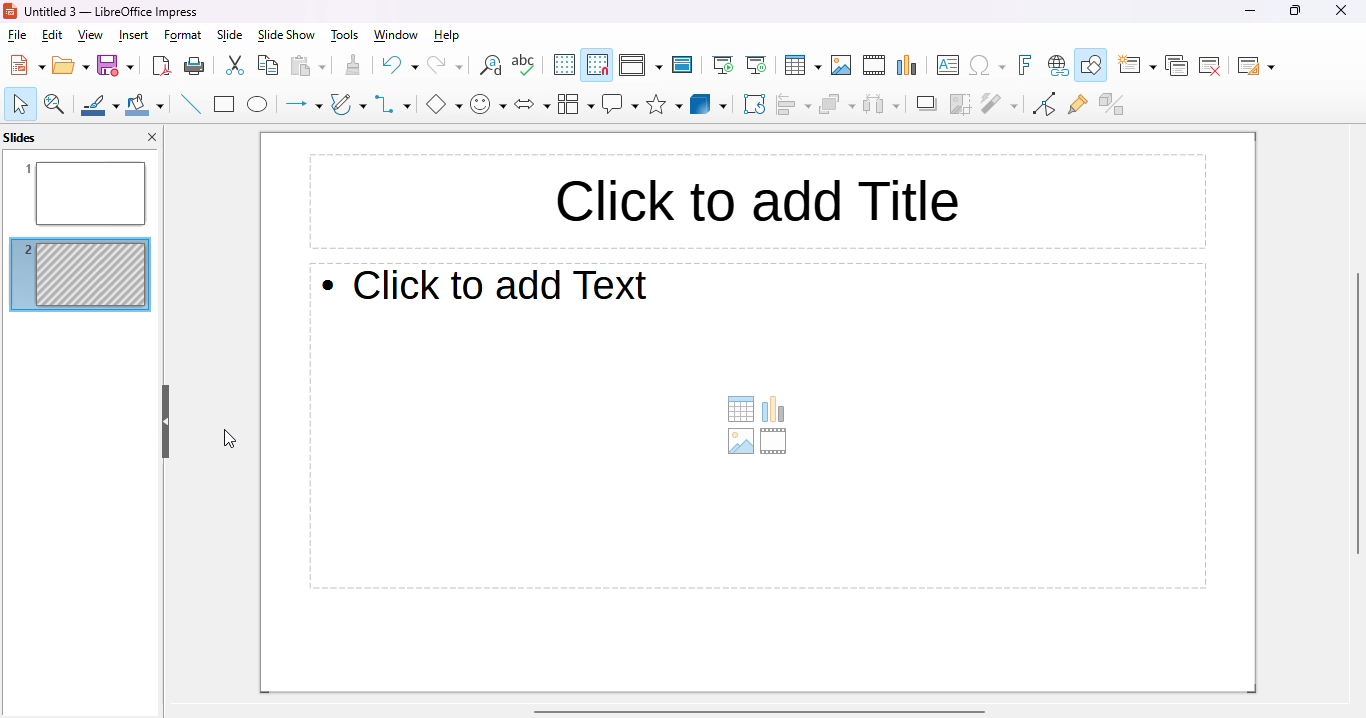 The width and height of the screenshot is (1366, 718). Describe the element at coordinates (1250, 10) in the screenshot. I see `minimize` at that location.